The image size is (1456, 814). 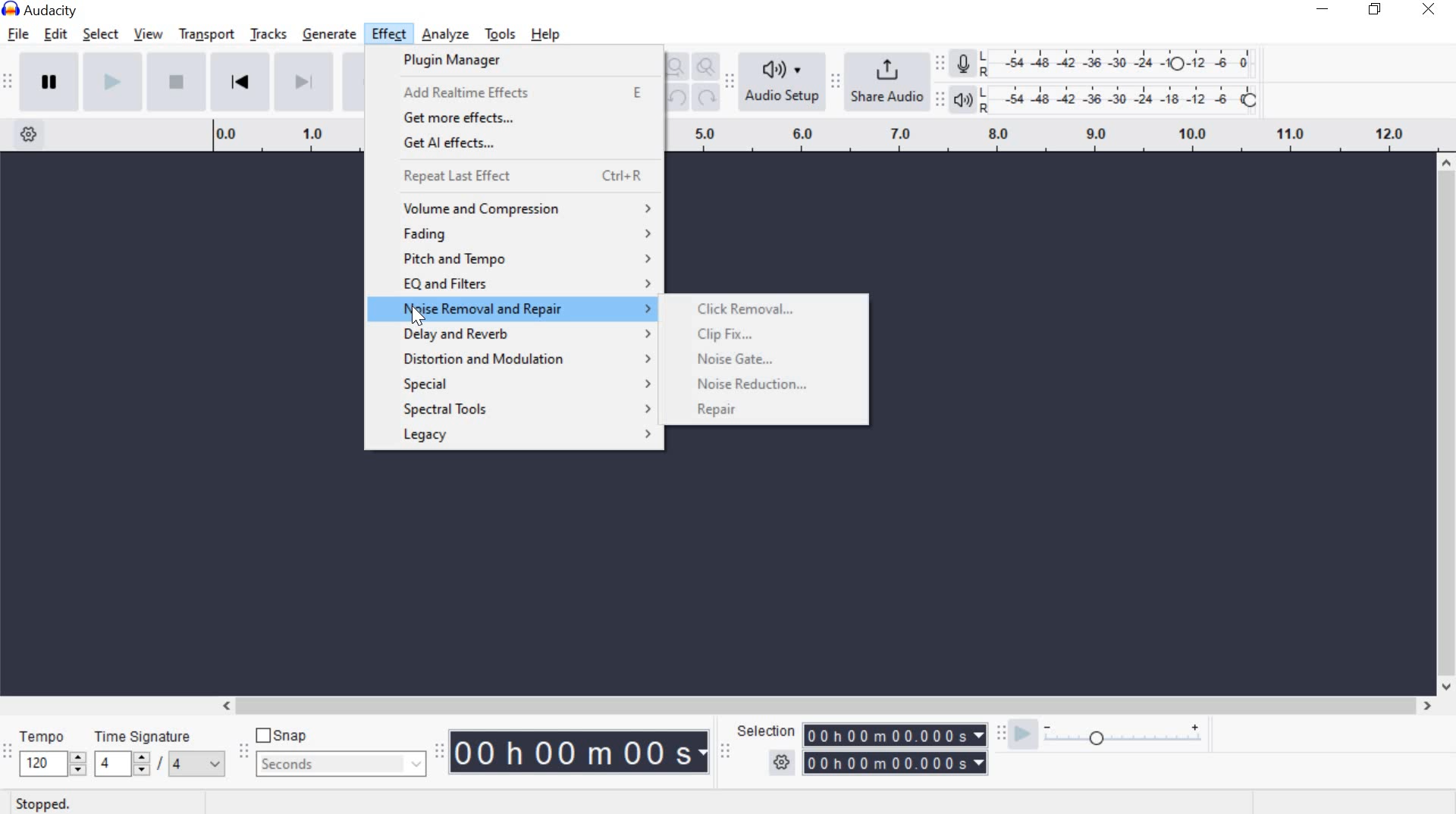 What do you see at coordinates (100, 33) in the screenshot?
I see `select` at bounding box center [100, 33].